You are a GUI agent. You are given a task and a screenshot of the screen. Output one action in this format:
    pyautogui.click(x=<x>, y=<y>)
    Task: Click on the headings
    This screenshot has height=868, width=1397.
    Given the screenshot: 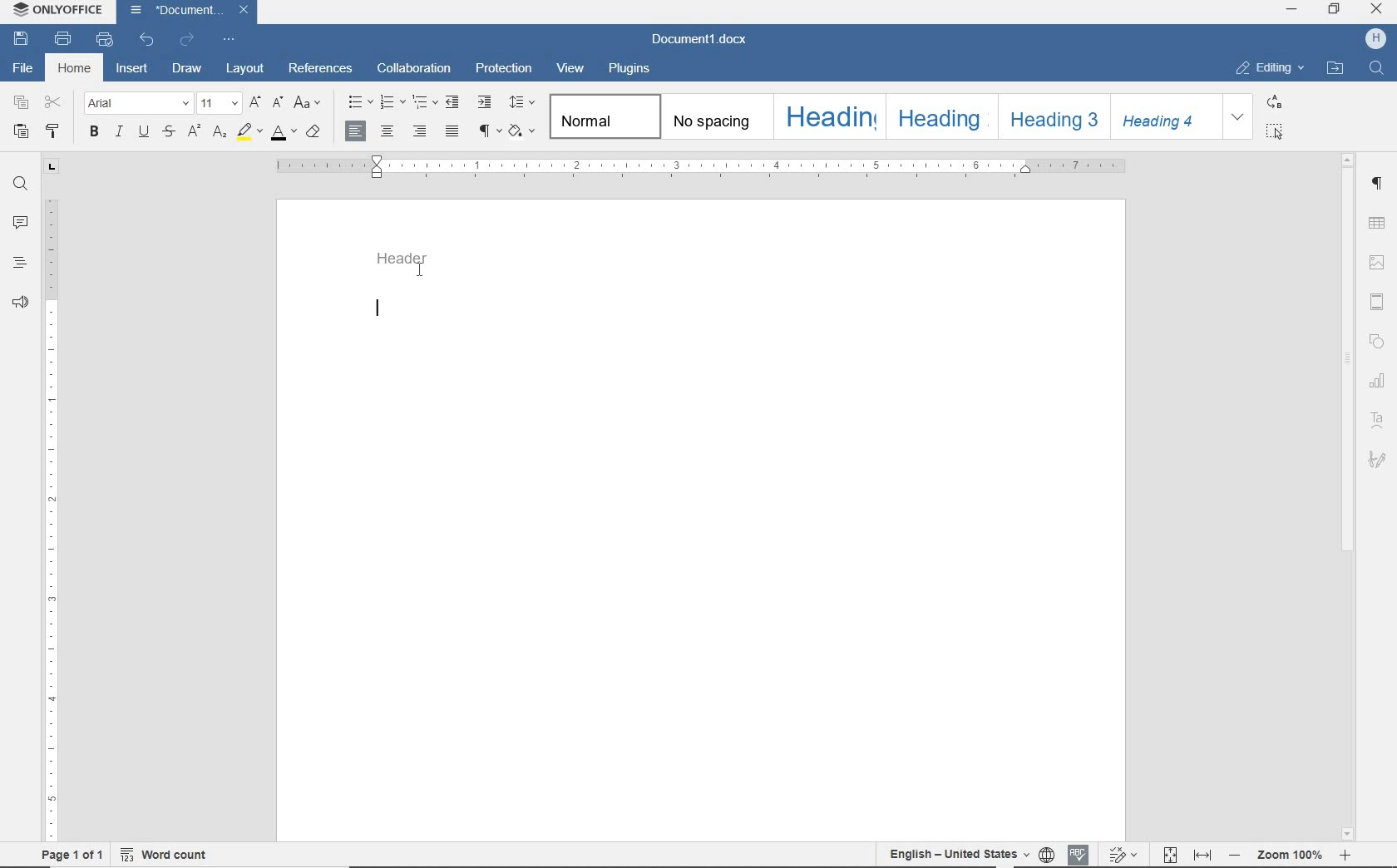 What is the action you would take?
    pyautogui.click(x=17, y=262)
    